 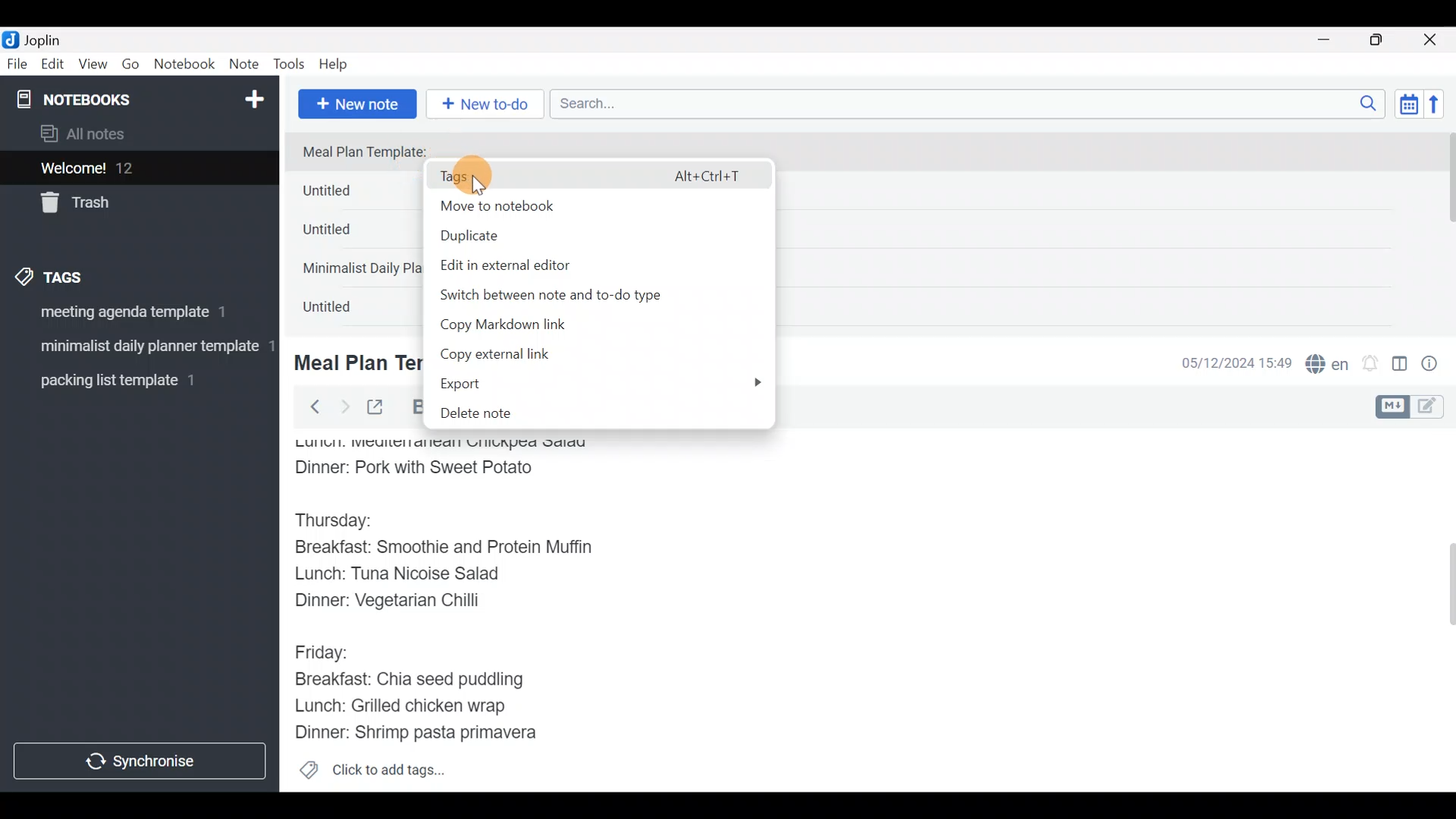 I want to click on Notebooks, so click(x=107, y=99).